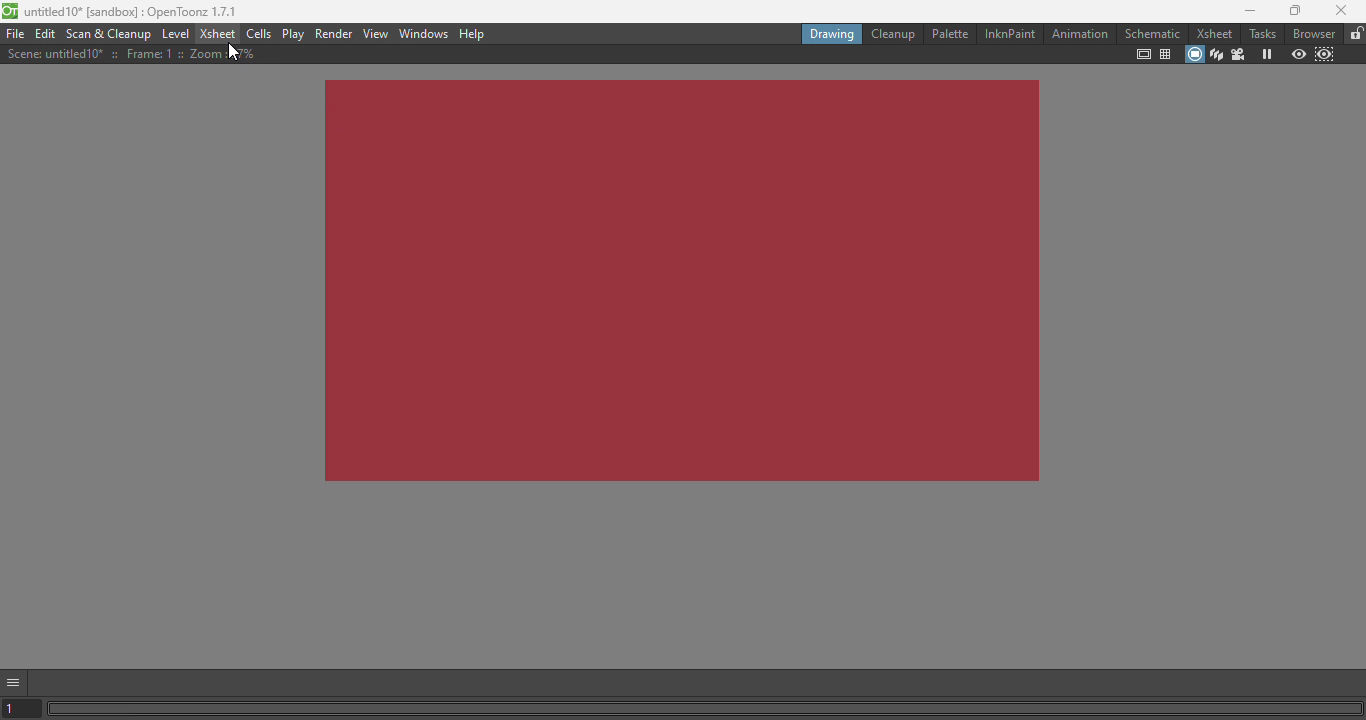 This screenshot has width=1366, height=720. What do you see at coordinates (1343, 11) in the screenshot?
I see `Close` at bounding box center [1343, 11].